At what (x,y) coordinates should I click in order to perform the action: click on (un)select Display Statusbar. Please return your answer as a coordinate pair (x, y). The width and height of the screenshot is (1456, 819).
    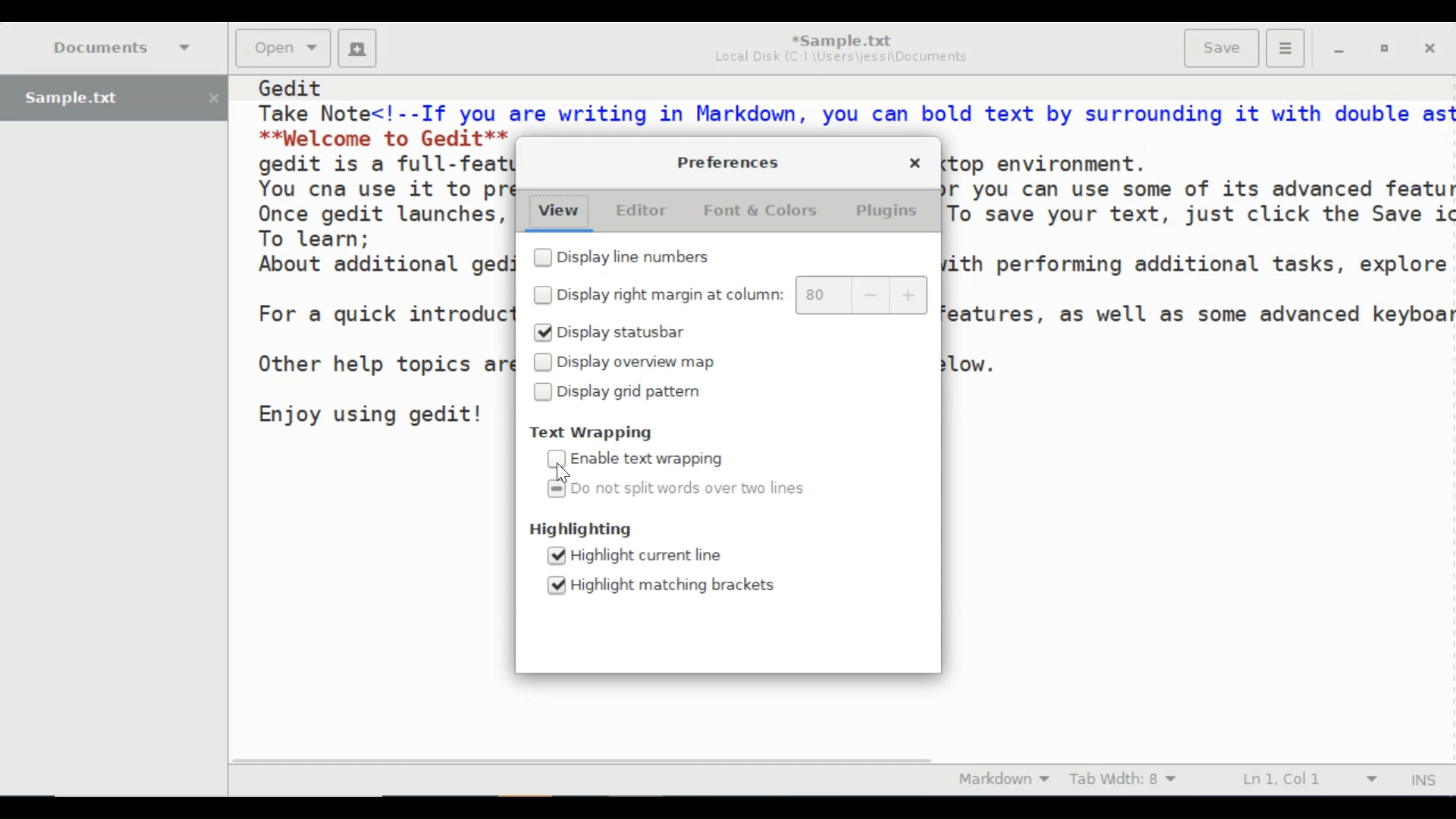
    Looking at the image, I should click on (616, 332).